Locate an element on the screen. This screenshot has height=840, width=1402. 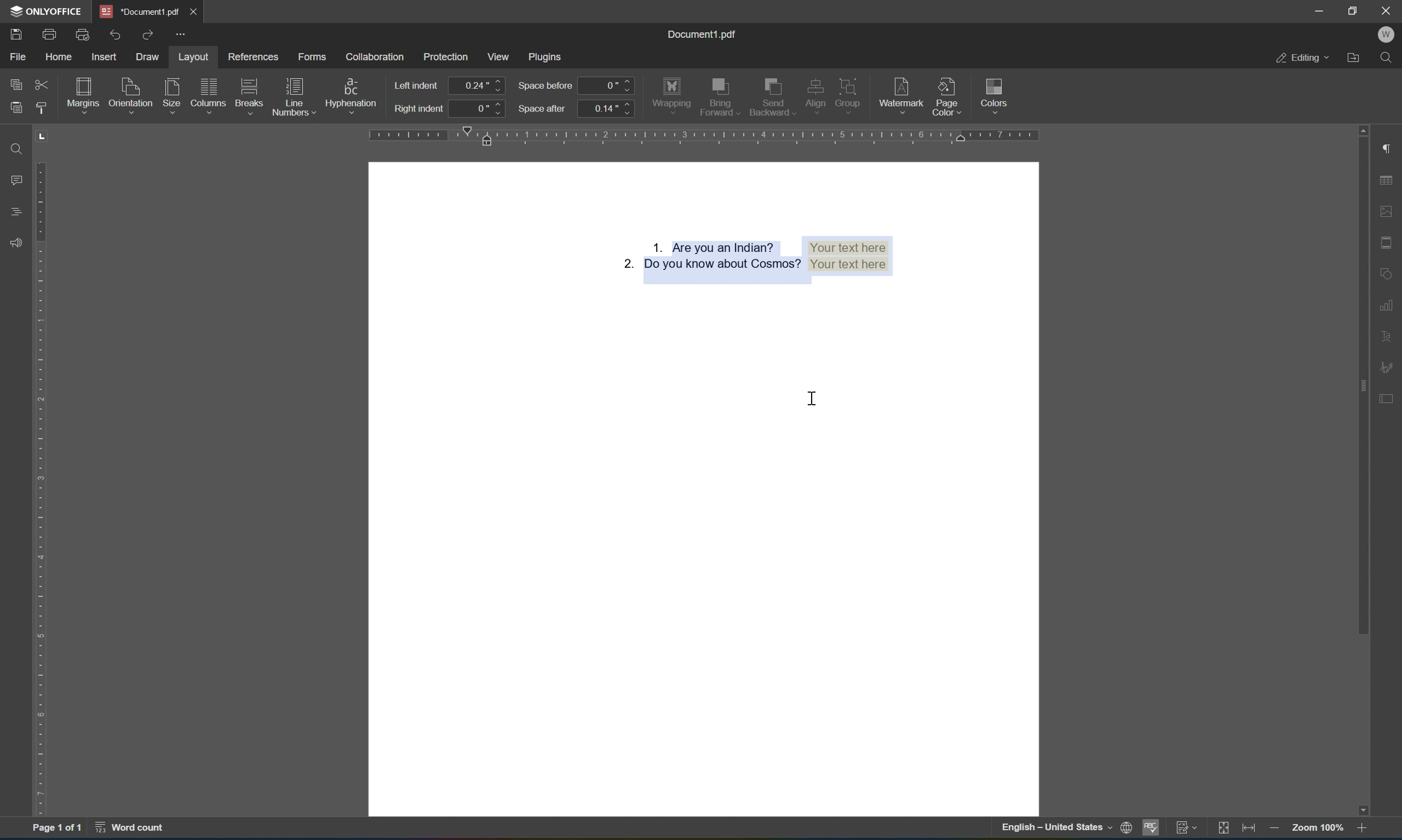
print is located at coordinates (49, 34).